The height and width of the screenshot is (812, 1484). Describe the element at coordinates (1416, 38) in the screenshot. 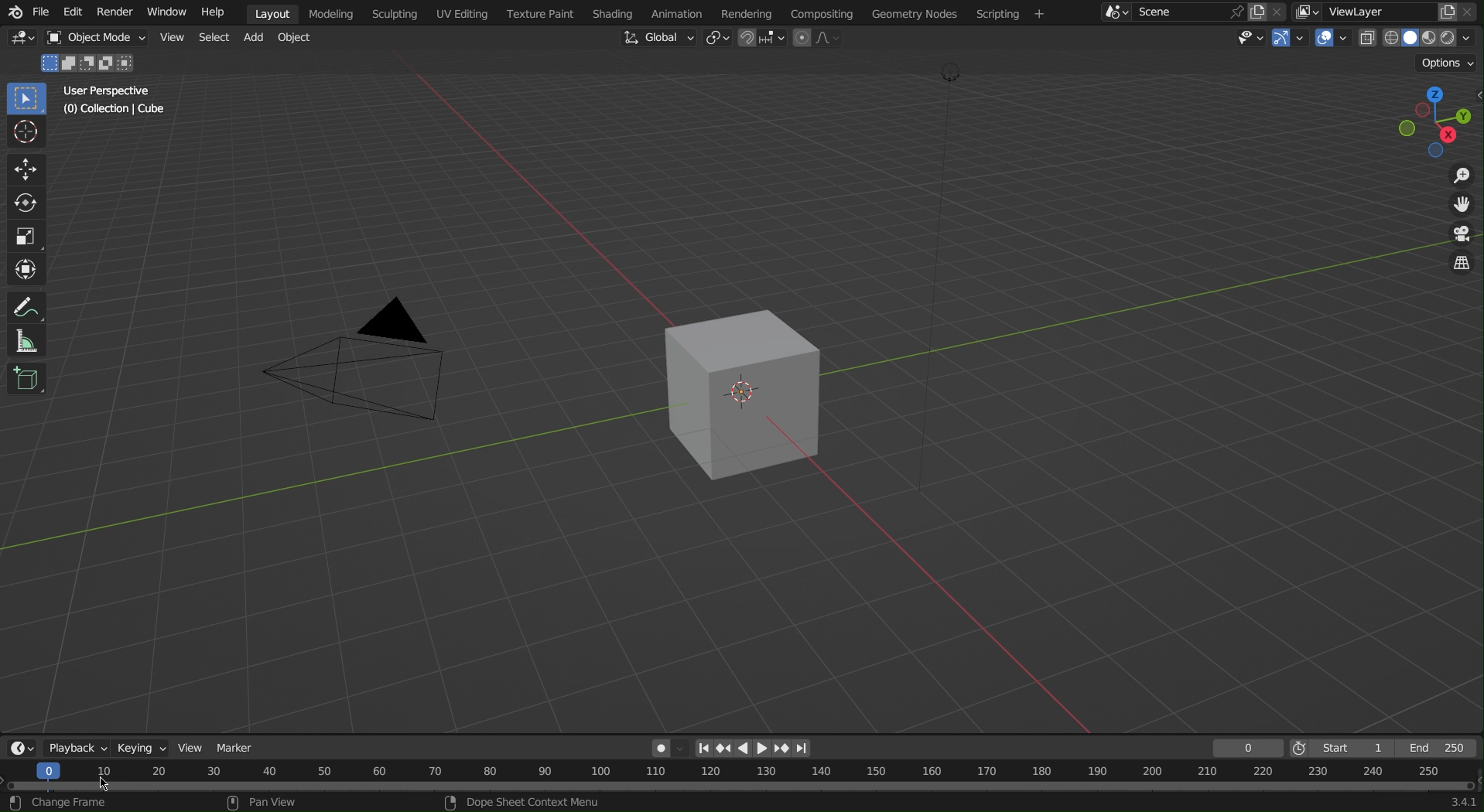

I see `Viewport Shading` at that location.